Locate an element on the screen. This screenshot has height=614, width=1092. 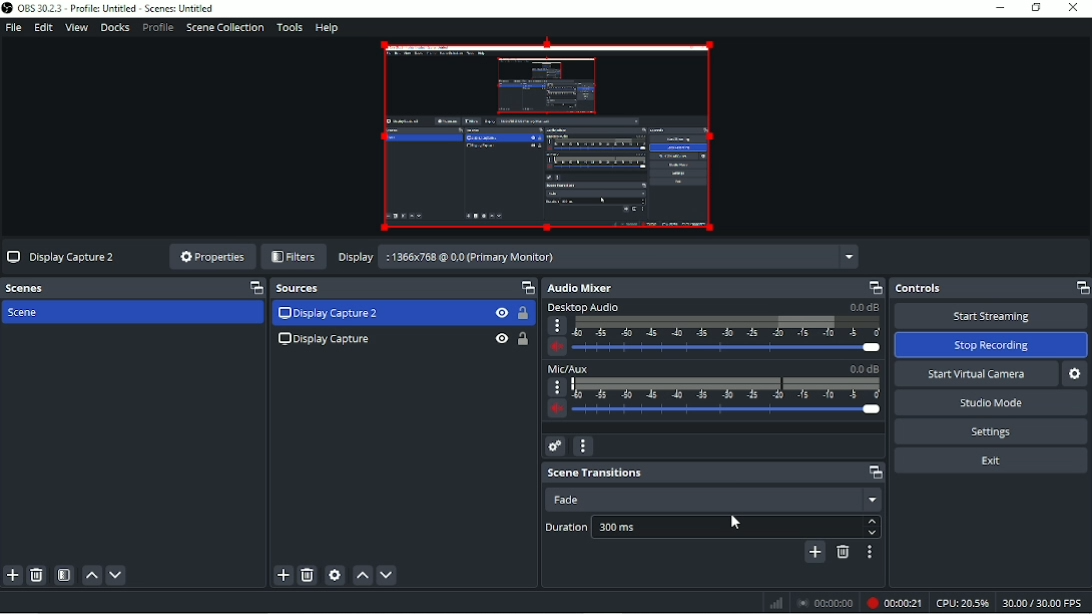
Lock is located at coordinates (524, 313).